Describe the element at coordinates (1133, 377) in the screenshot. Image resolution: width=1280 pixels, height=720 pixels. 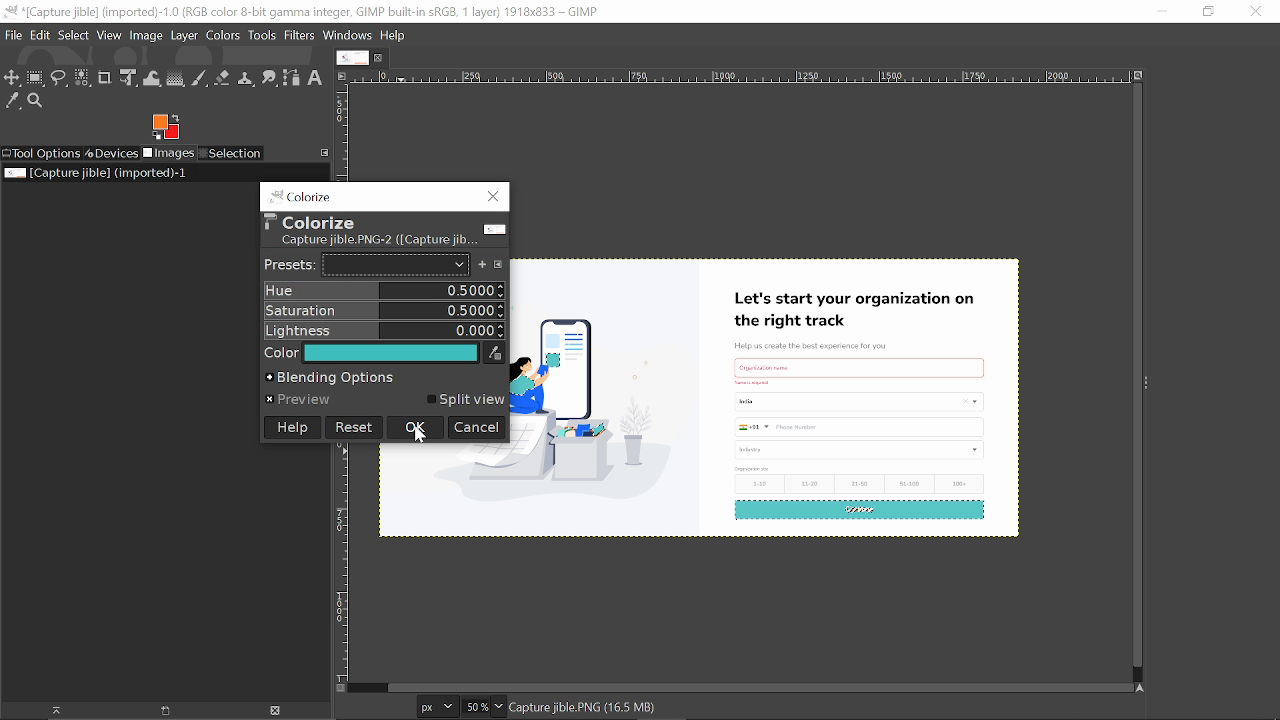
I see `Vertical scrollbar` at that location.